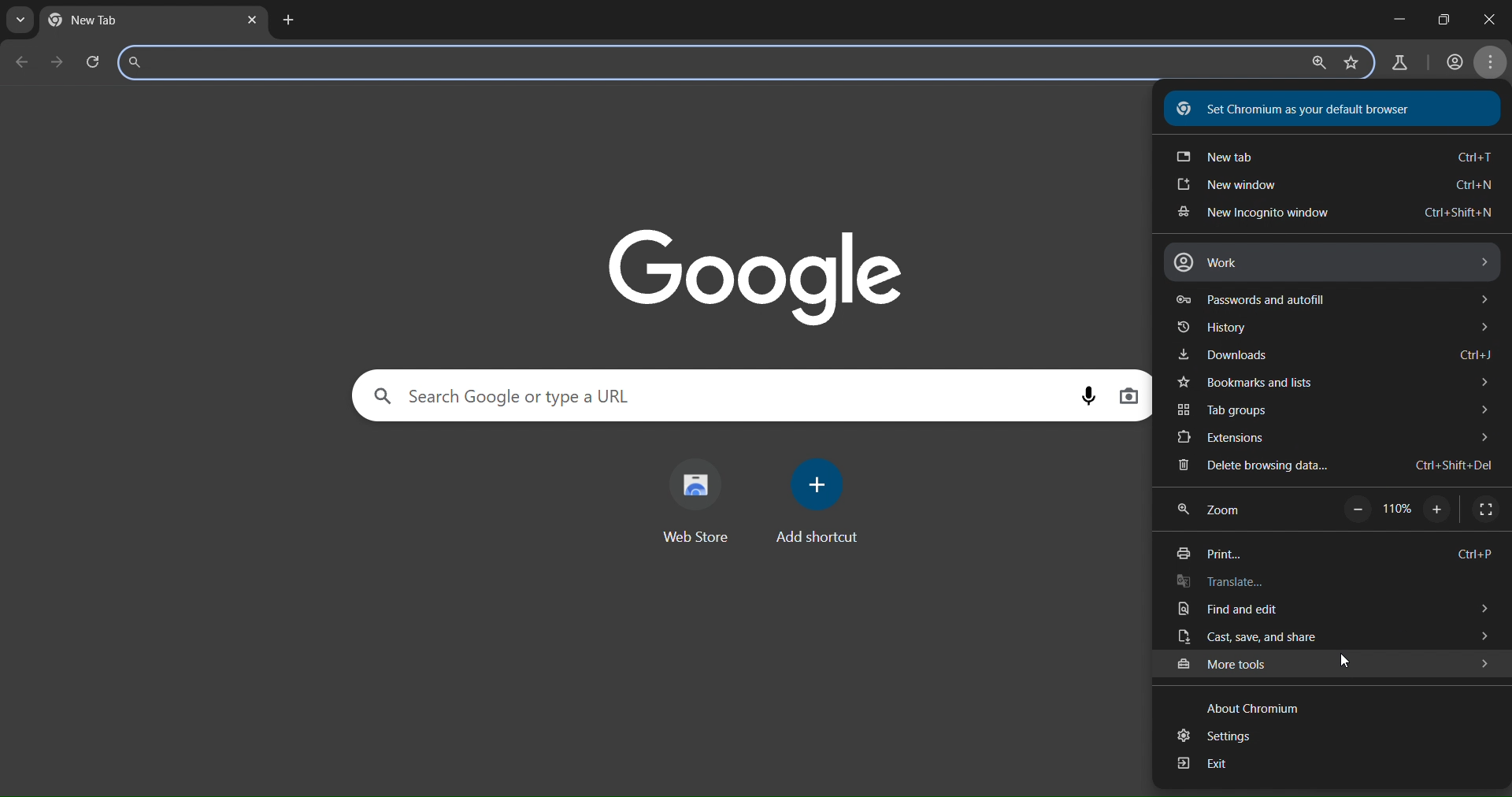  Describe the element at coordinates (1452, 63) in the screenshot. I see `account` at that location.